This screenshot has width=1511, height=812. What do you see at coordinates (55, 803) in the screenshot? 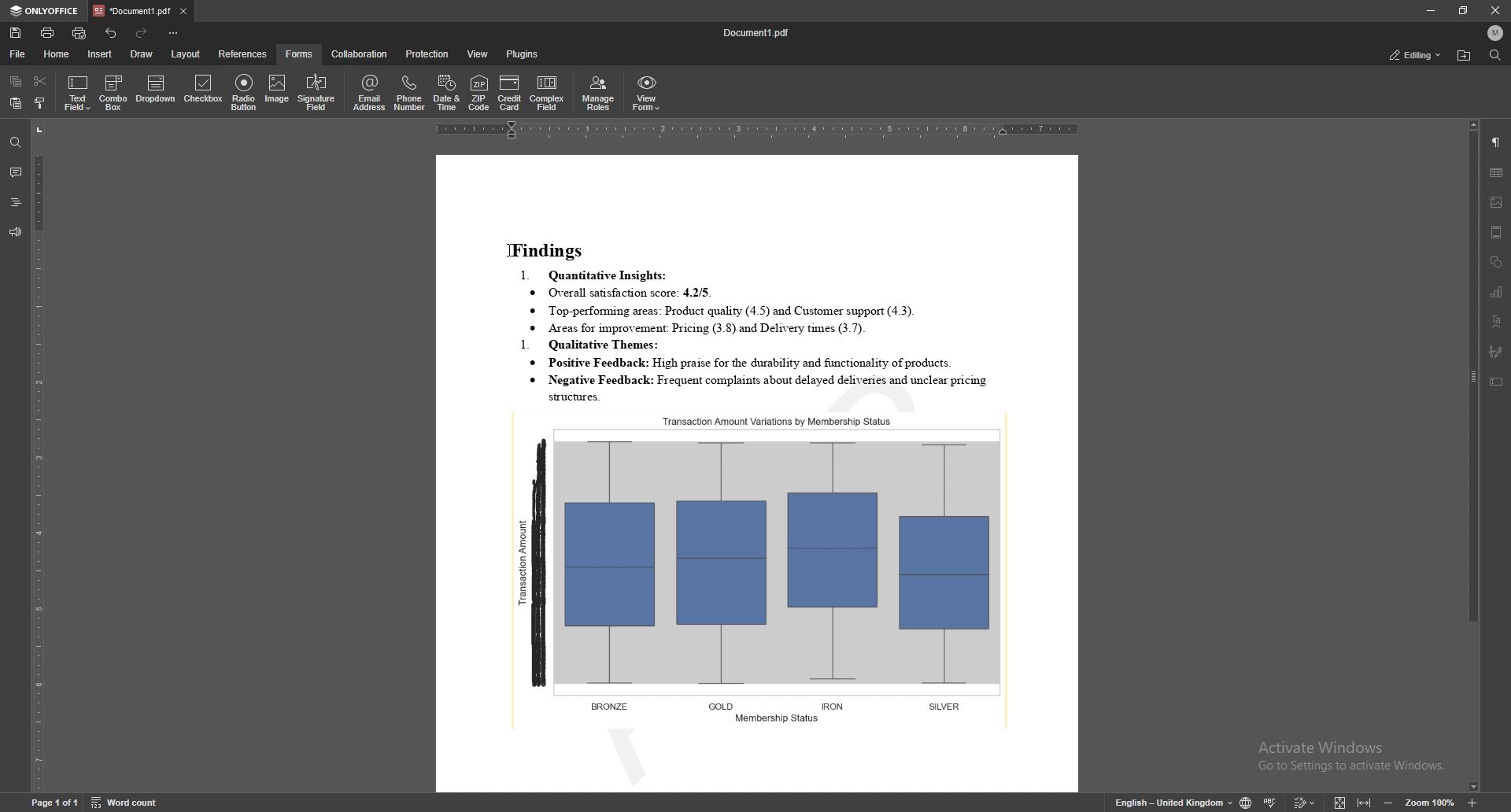
I see `page` at bounding box center [55, 803].